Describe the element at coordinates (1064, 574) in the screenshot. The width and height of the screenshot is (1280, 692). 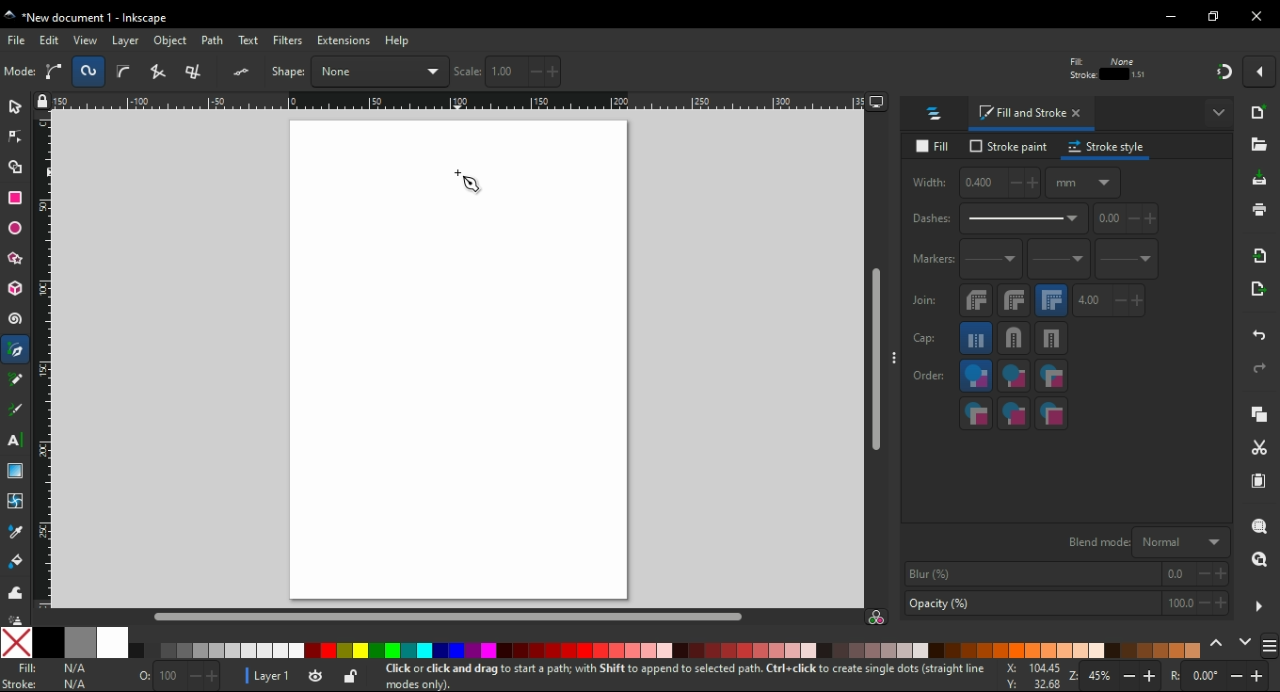
I see `blur` at that location.